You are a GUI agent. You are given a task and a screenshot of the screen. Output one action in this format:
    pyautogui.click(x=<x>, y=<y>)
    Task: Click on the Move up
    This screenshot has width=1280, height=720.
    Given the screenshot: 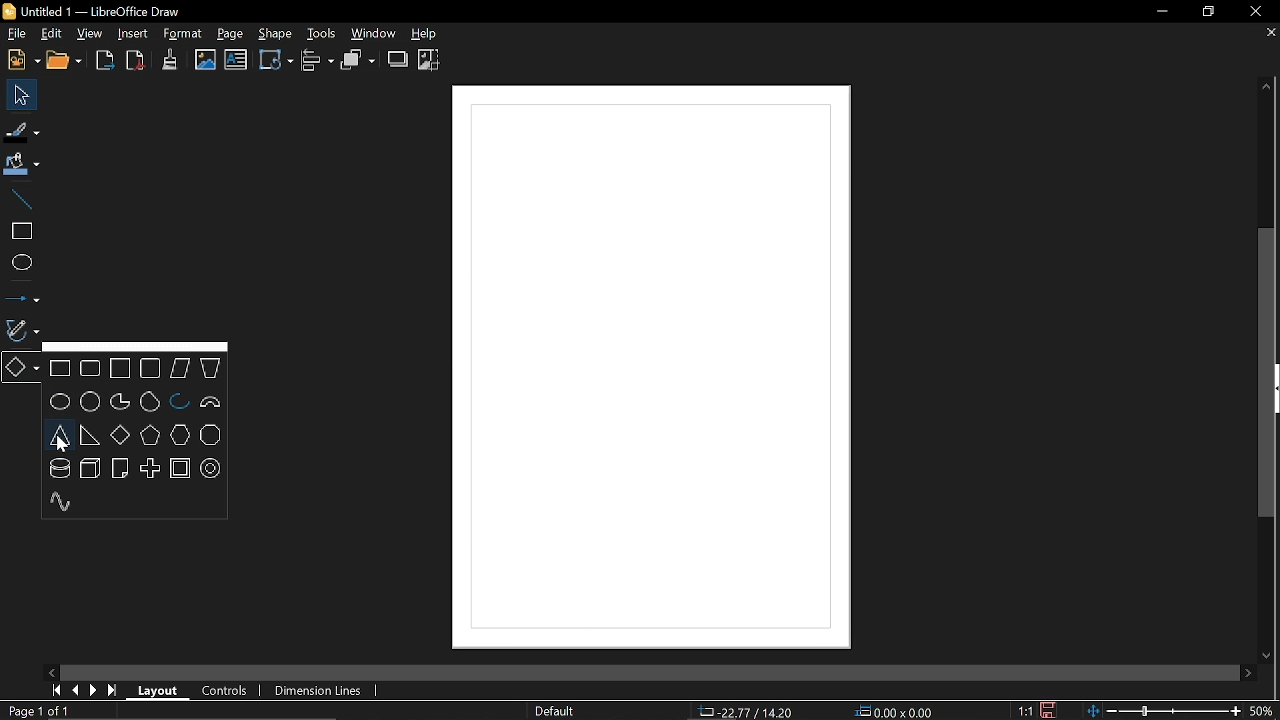 What is the action you would take?
    pyautogui.click(x=1267, y=86)
    